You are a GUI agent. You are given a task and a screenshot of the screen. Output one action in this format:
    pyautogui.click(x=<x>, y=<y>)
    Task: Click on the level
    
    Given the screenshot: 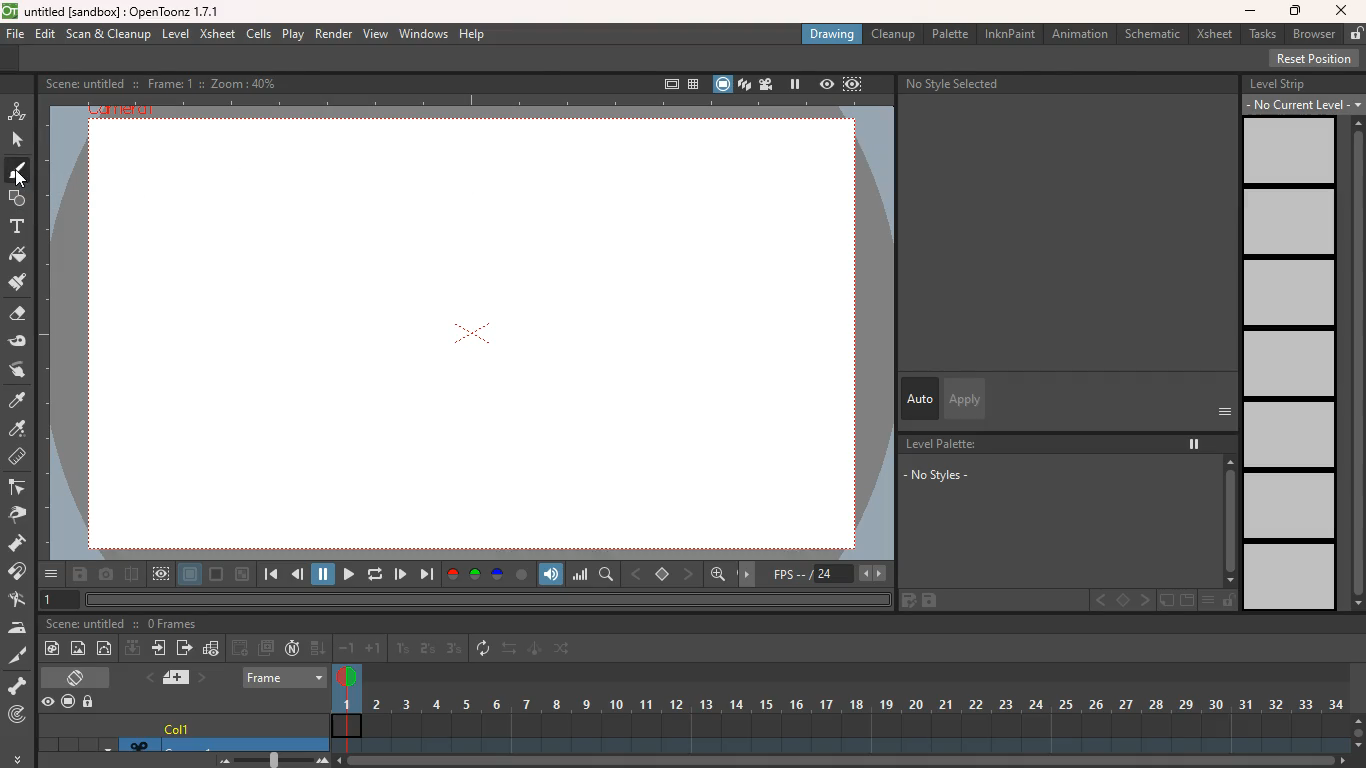 What is the action you would take?
    pyautogui.click(x=1288, y=506)
    